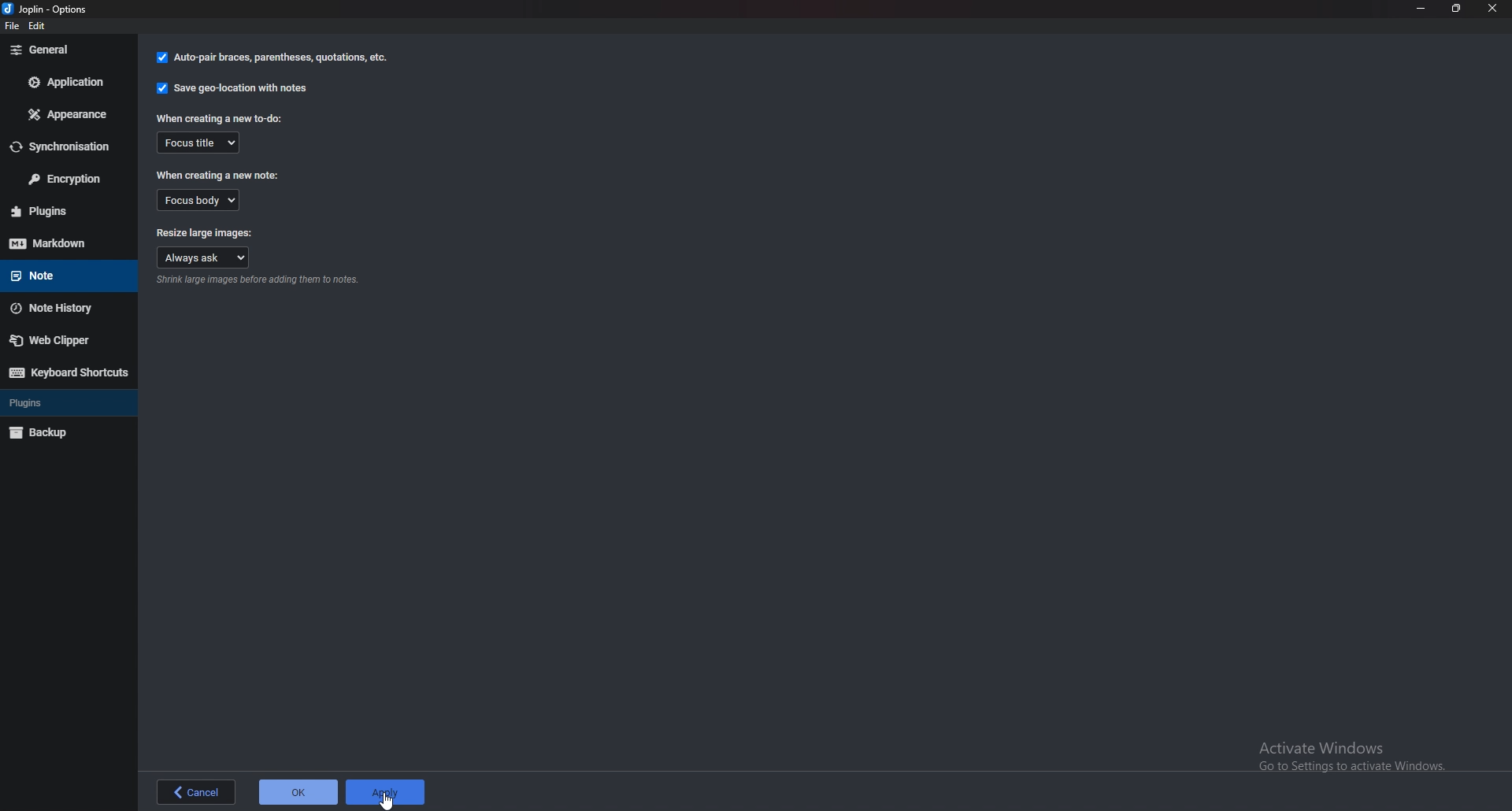  I want to click on edit, so click(39, 25).